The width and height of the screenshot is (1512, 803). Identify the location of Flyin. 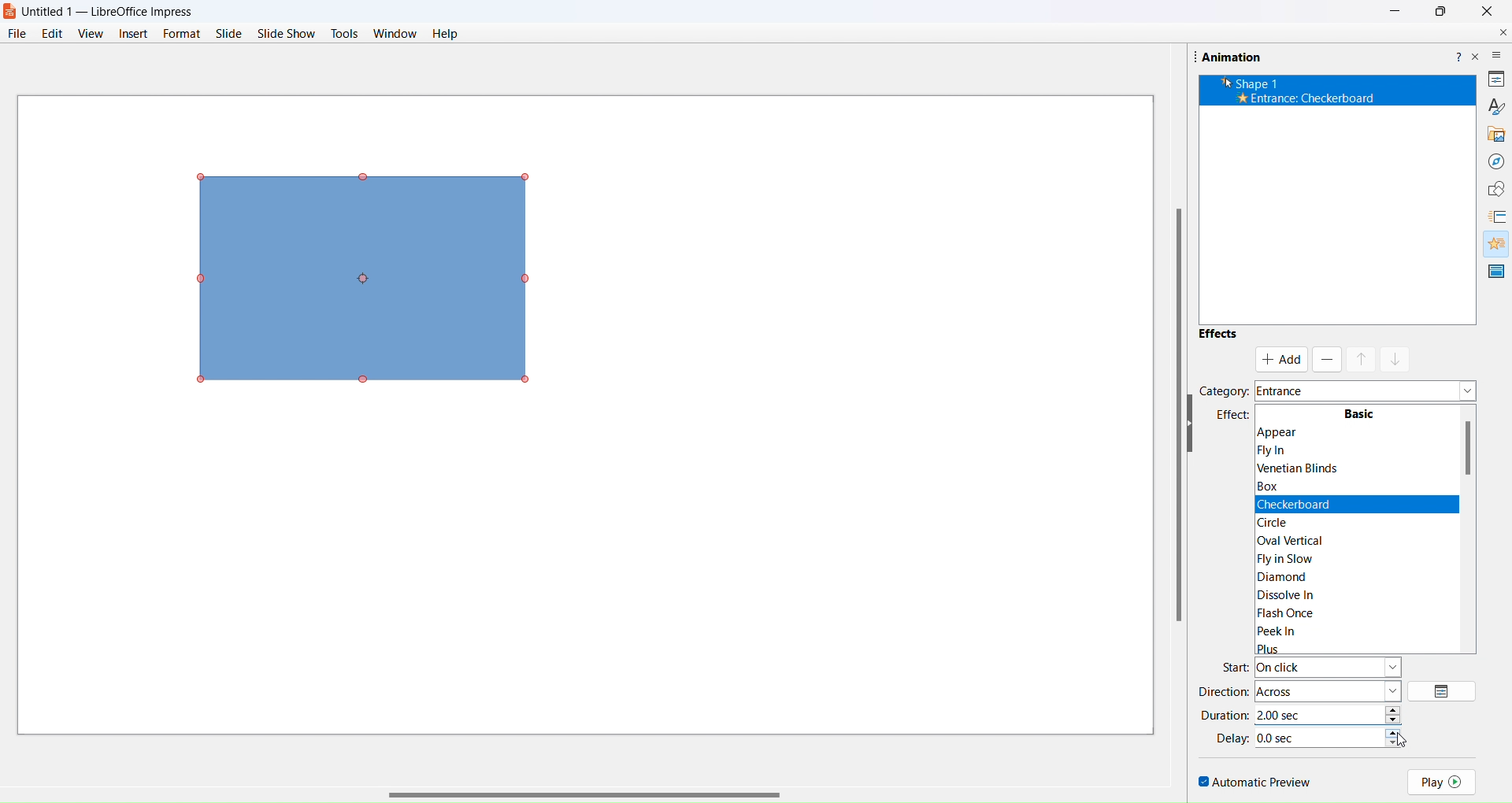
(1288, 451).